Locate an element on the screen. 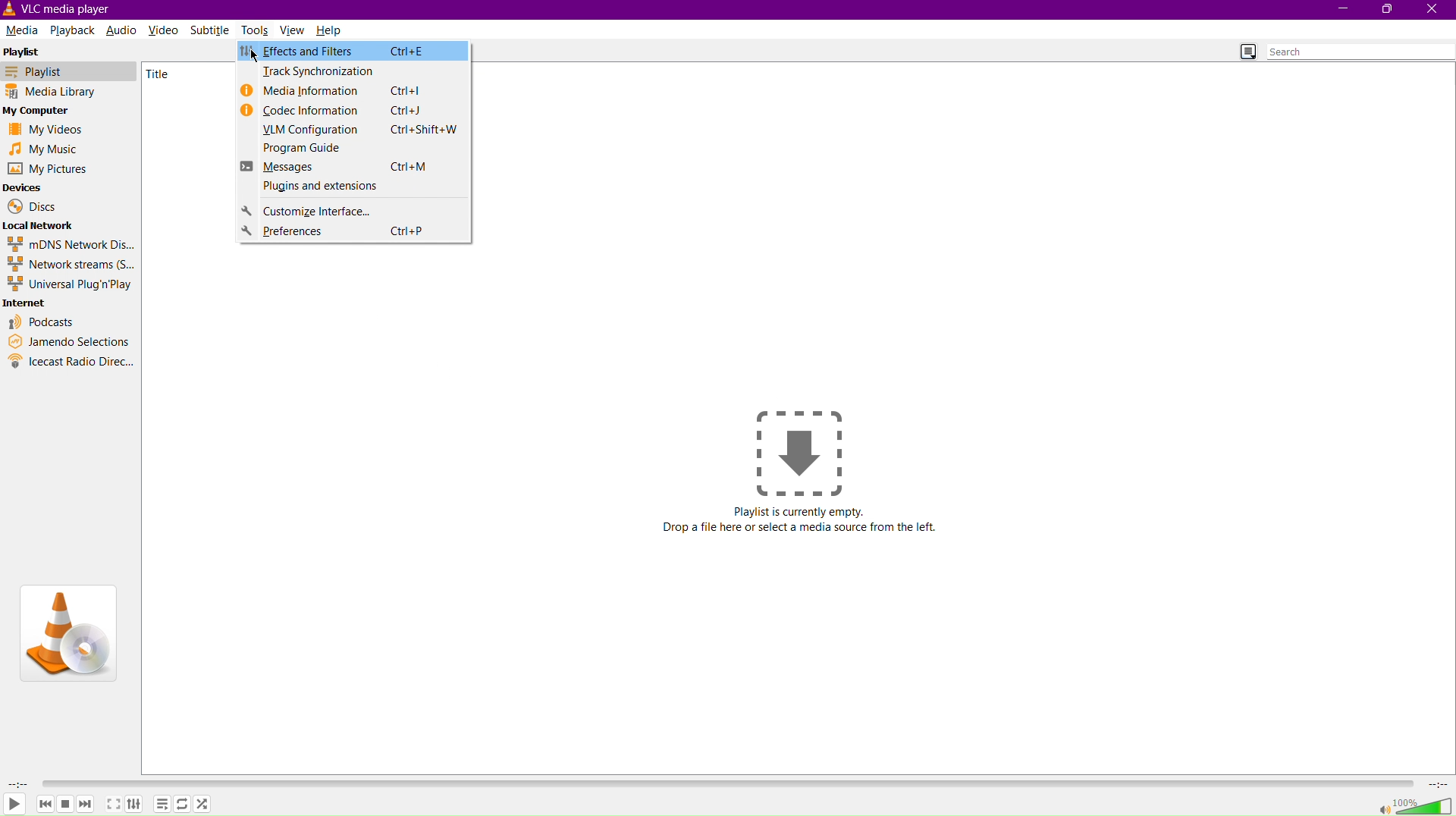  Help is located at coordinates (331, 29).